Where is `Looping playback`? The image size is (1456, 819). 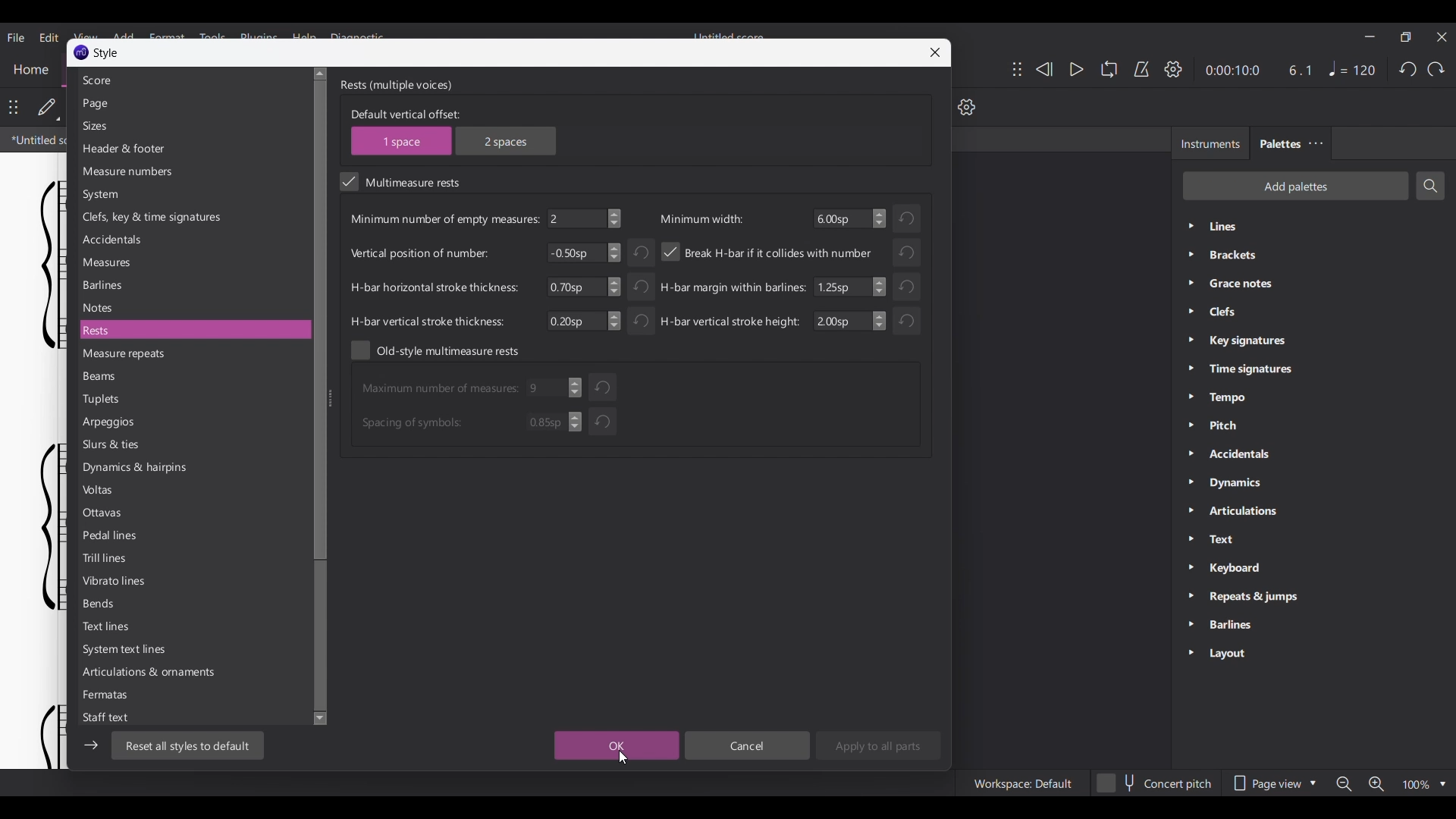
Looping playback is located at coordinates (1109, 69).